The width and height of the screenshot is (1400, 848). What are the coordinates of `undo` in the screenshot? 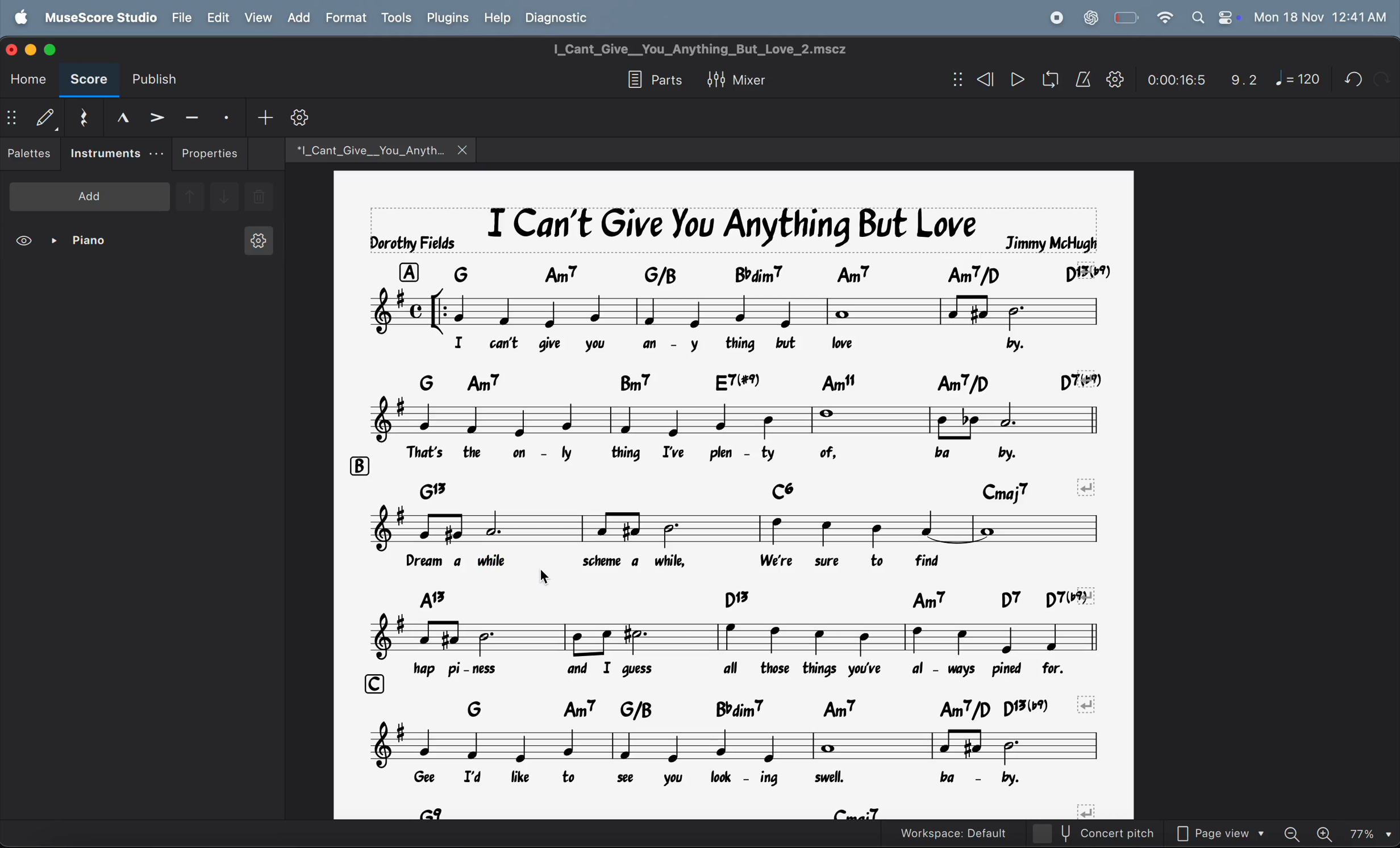 It's located at (1351, 79).